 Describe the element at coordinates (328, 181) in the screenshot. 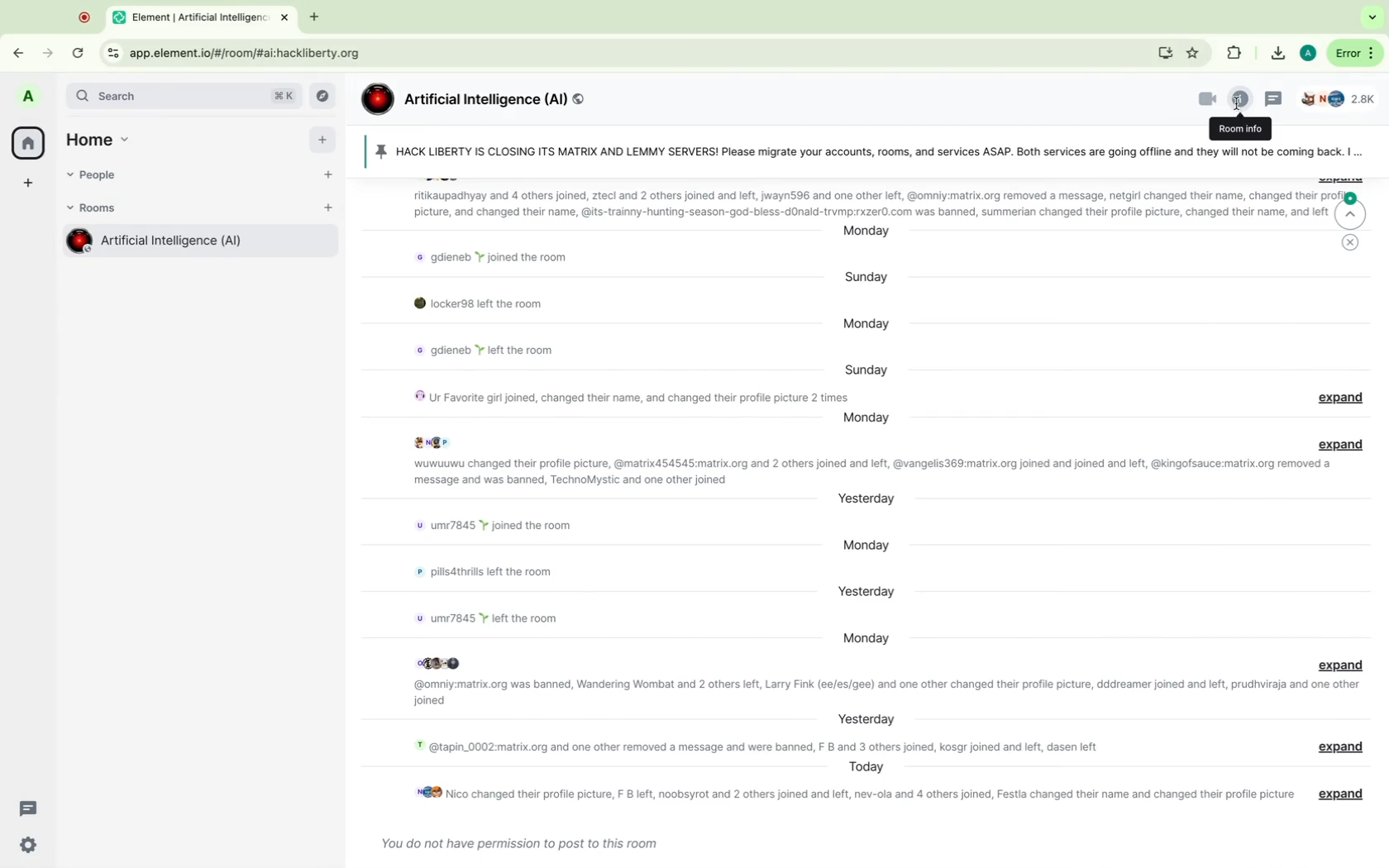

I see `start chat` at that location.